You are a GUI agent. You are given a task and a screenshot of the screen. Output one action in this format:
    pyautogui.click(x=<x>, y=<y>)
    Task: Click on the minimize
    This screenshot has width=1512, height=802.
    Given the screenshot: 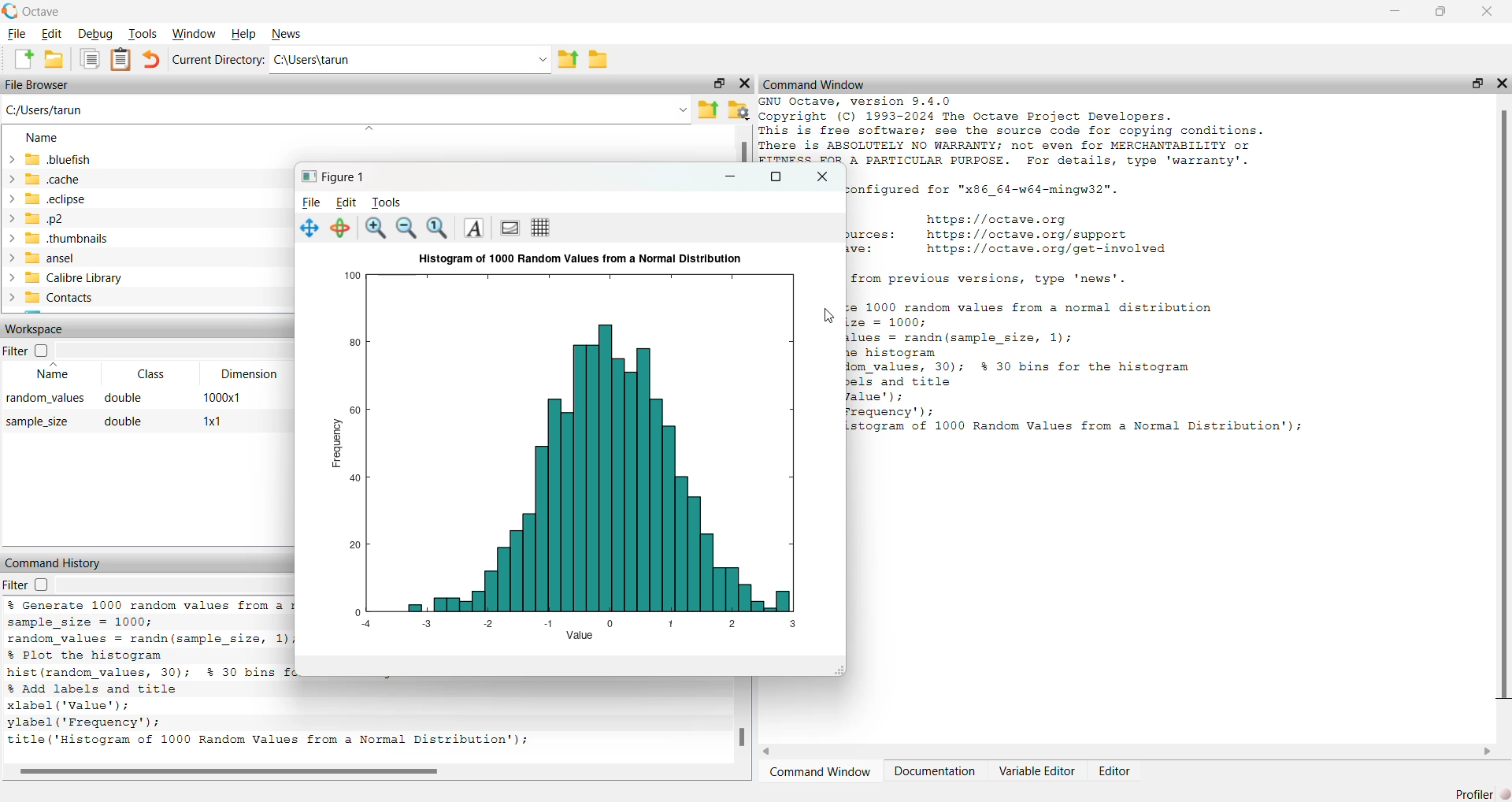 What is the action you would take?
    pyautogui.click(x=1395, y=11)
    